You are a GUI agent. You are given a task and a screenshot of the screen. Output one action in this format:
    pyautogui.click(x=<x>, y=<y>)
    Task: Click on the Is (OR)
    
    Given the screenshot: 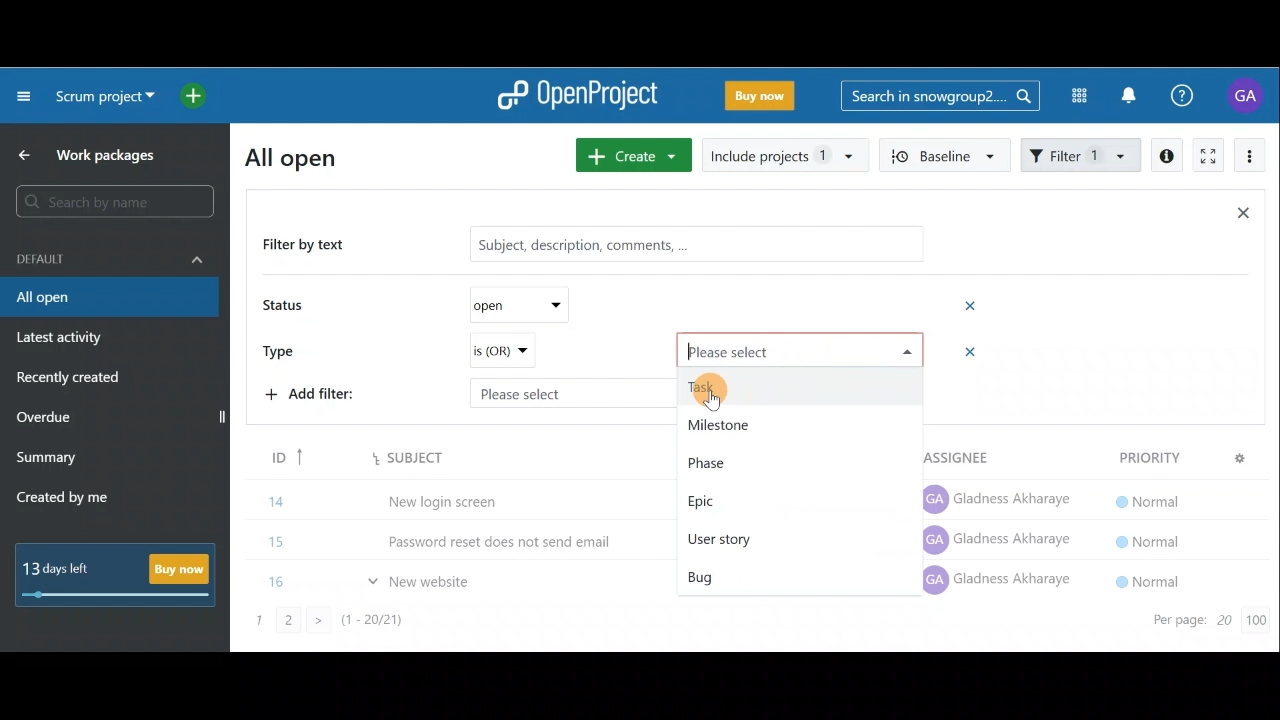 What is the action you would take?
    pyautogui.click(x=501, y=351)
    